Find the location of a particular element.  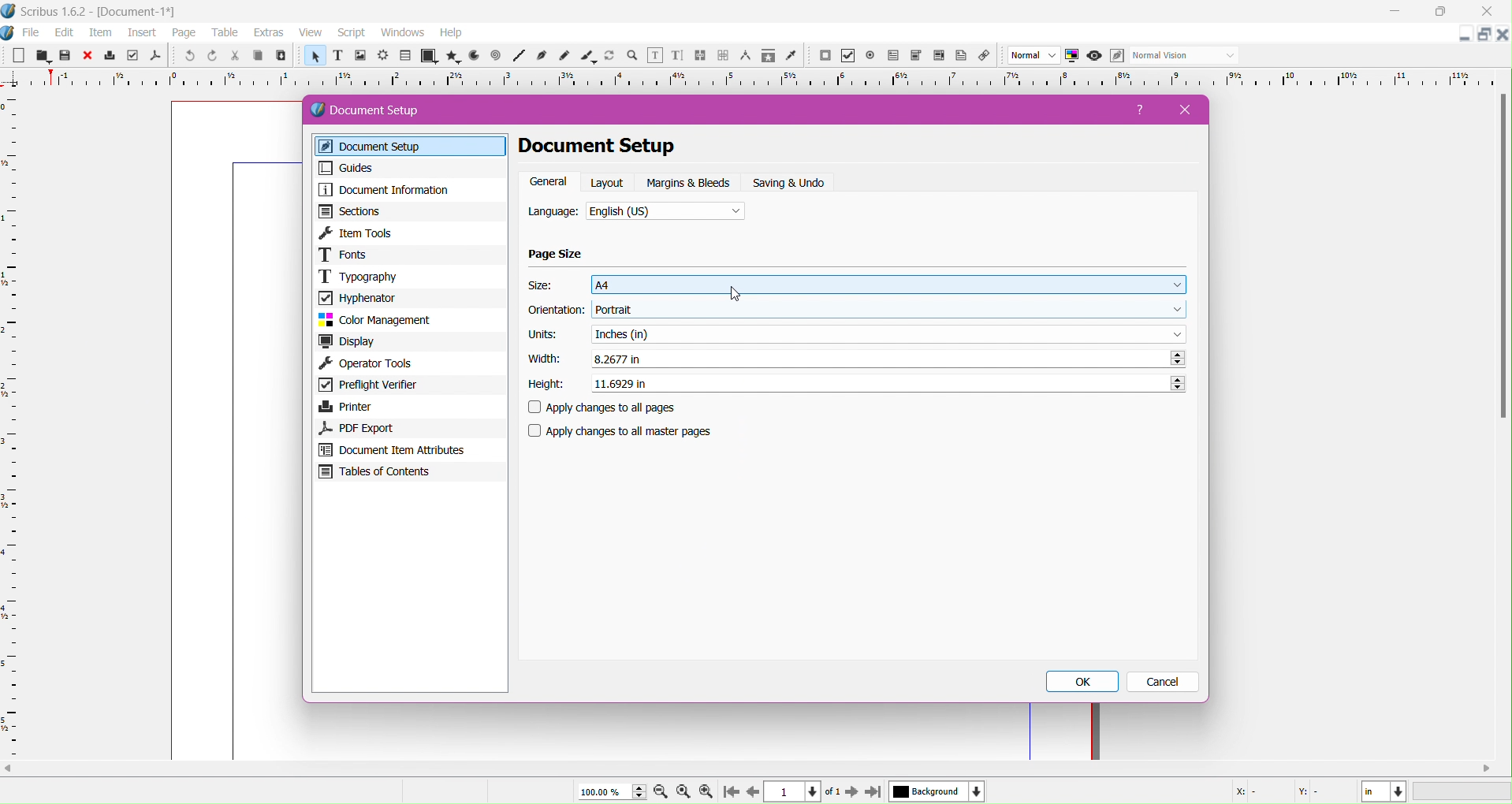

Apply changes to all master pages is located at coordinates (630, 431).